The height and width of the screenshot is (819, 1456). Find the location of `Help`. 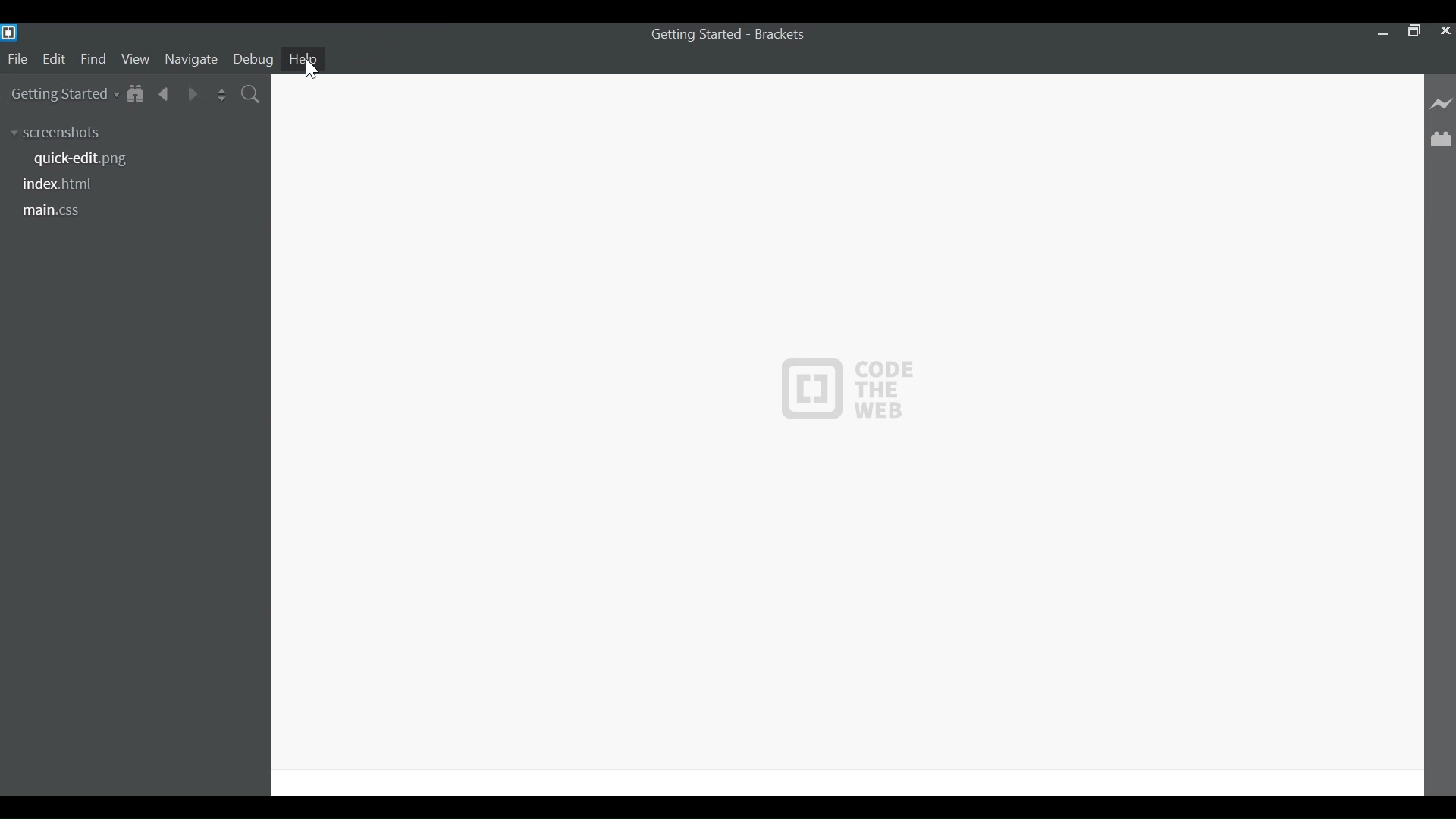

Help is located at coordinates (305, 58).